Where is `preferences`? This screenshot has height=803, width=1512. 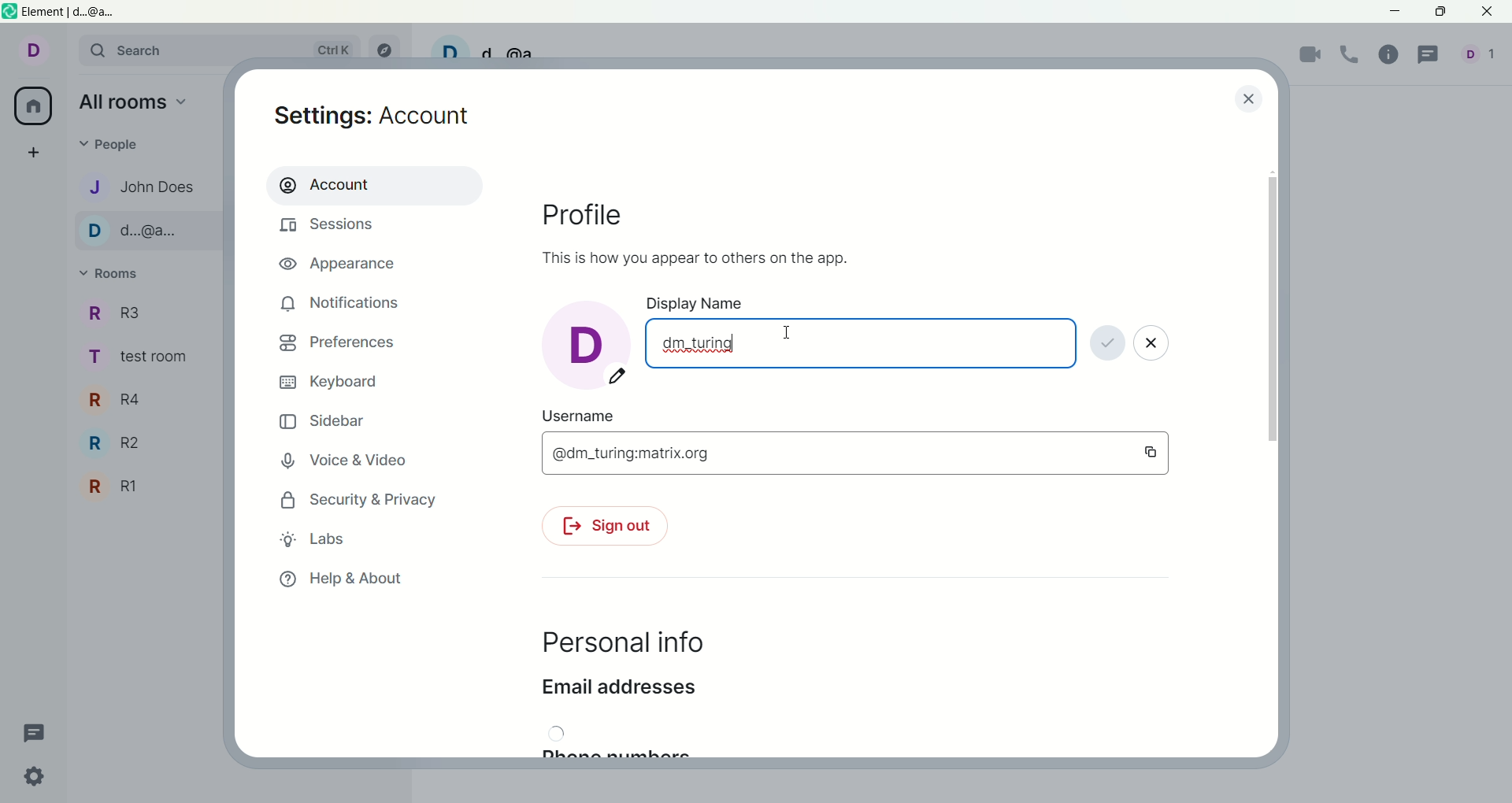 preferences is located at coordinates (337, 346).